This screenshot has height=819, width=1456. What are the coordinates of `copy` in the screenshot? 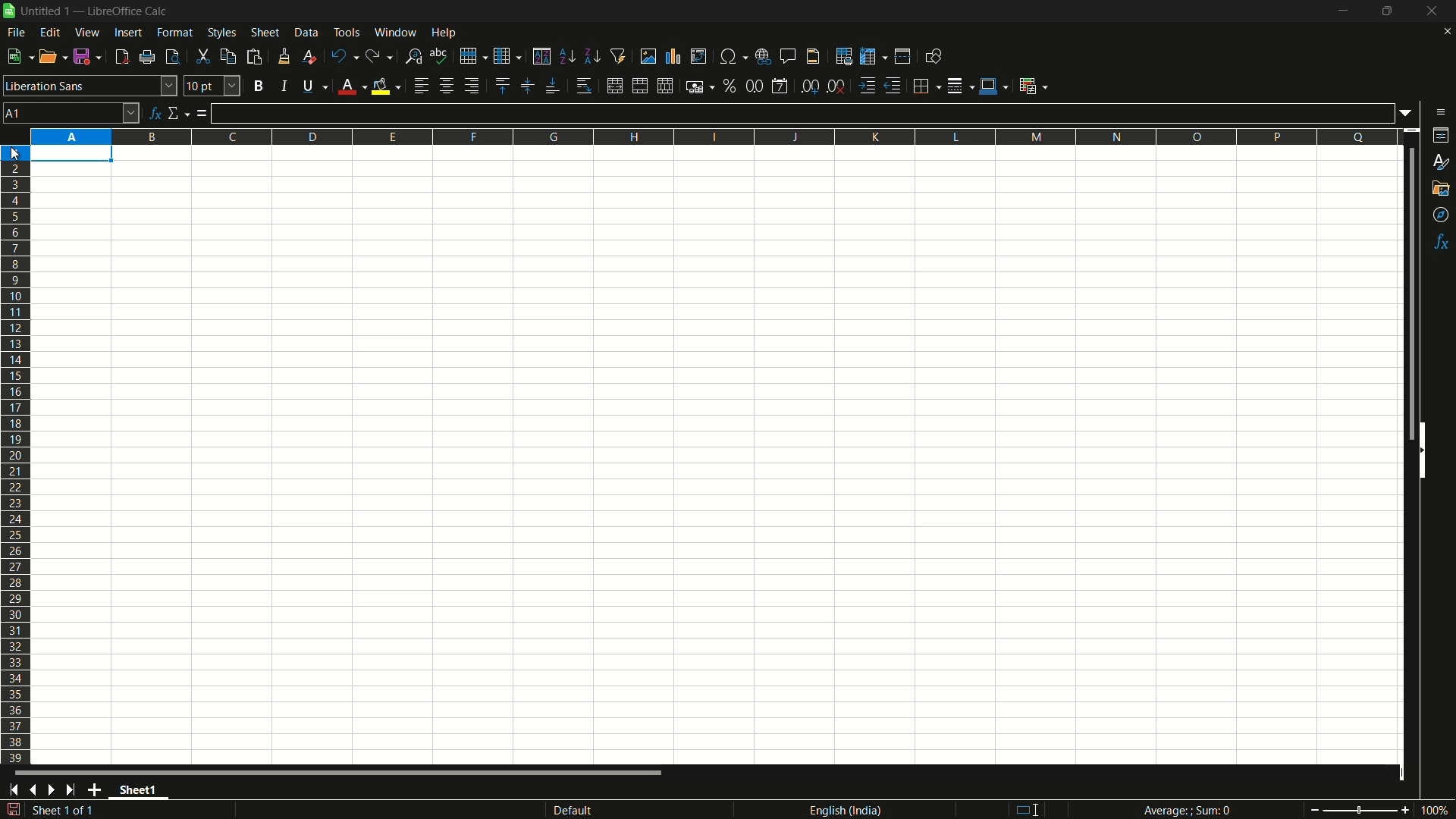 It's located at (227, 56).